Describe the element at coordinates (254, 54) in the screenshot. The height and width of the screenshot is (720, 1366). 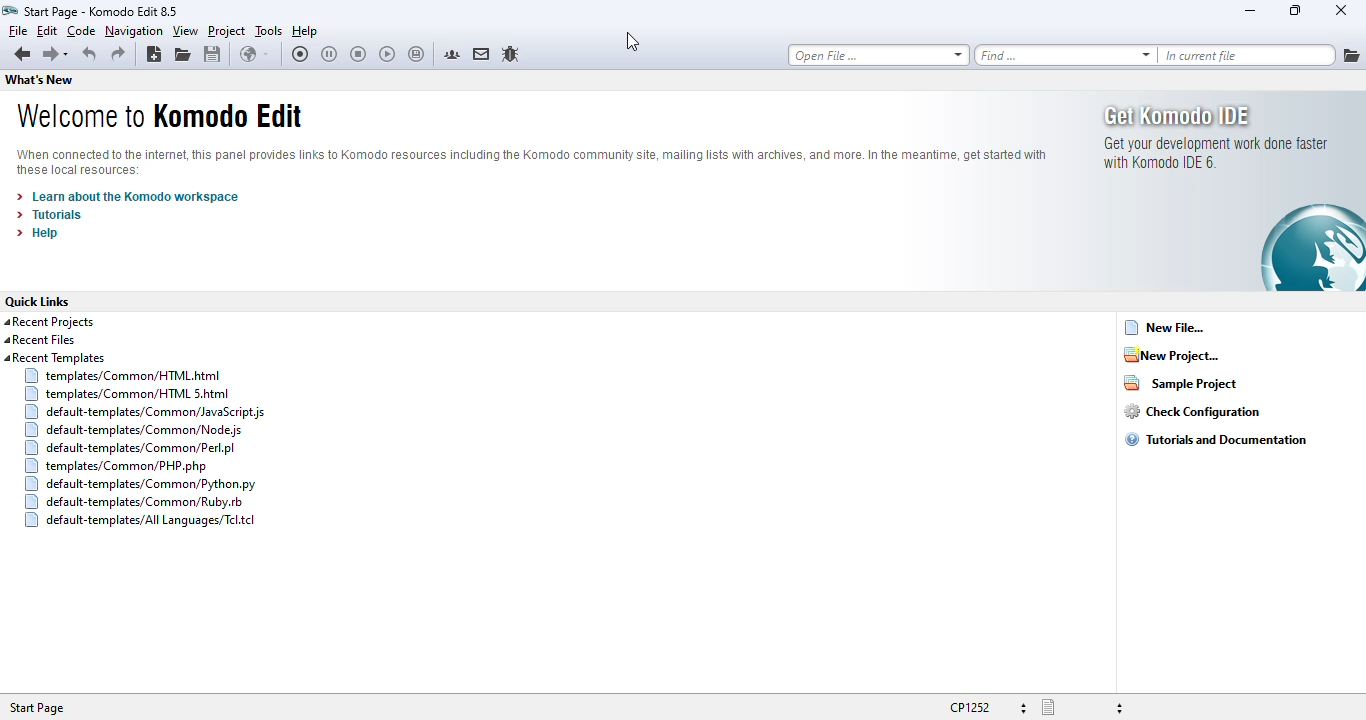
I see `preview buffer in browser` at that location.